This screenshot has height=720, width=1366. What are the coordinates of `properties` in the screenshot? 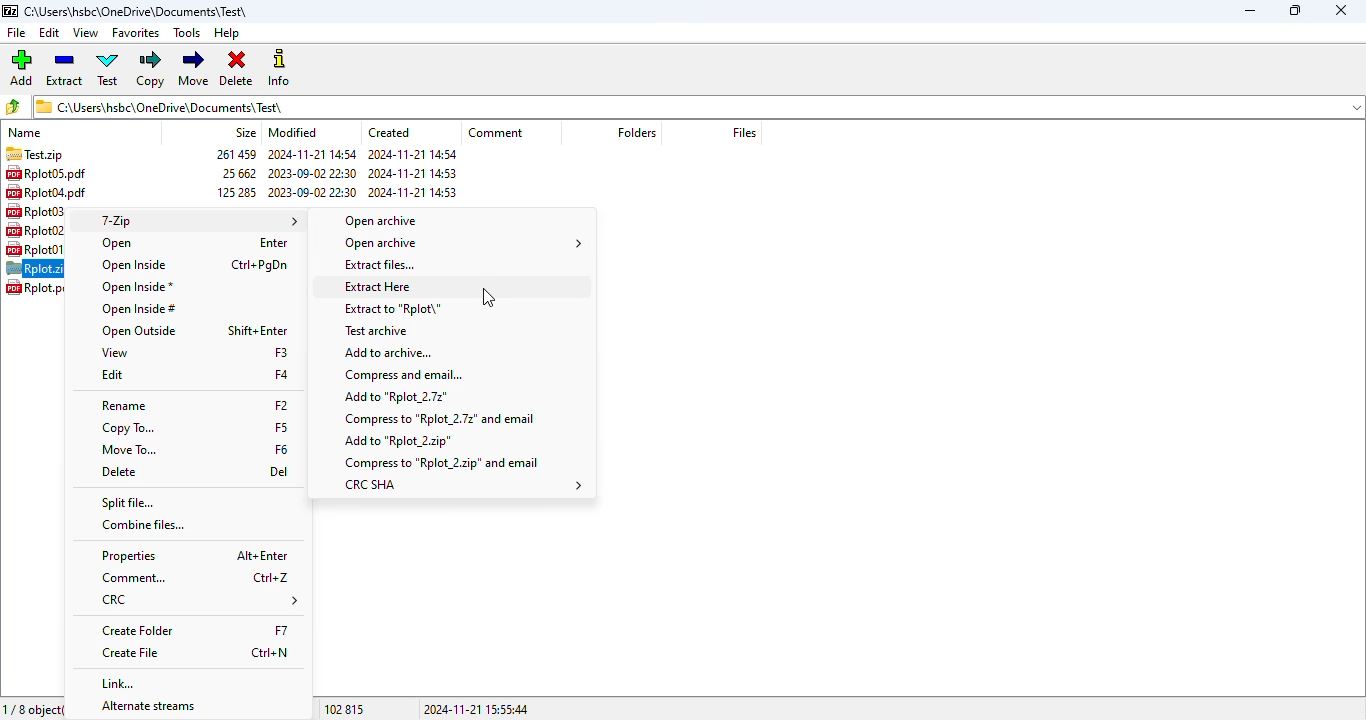 It's located at (128, 556).